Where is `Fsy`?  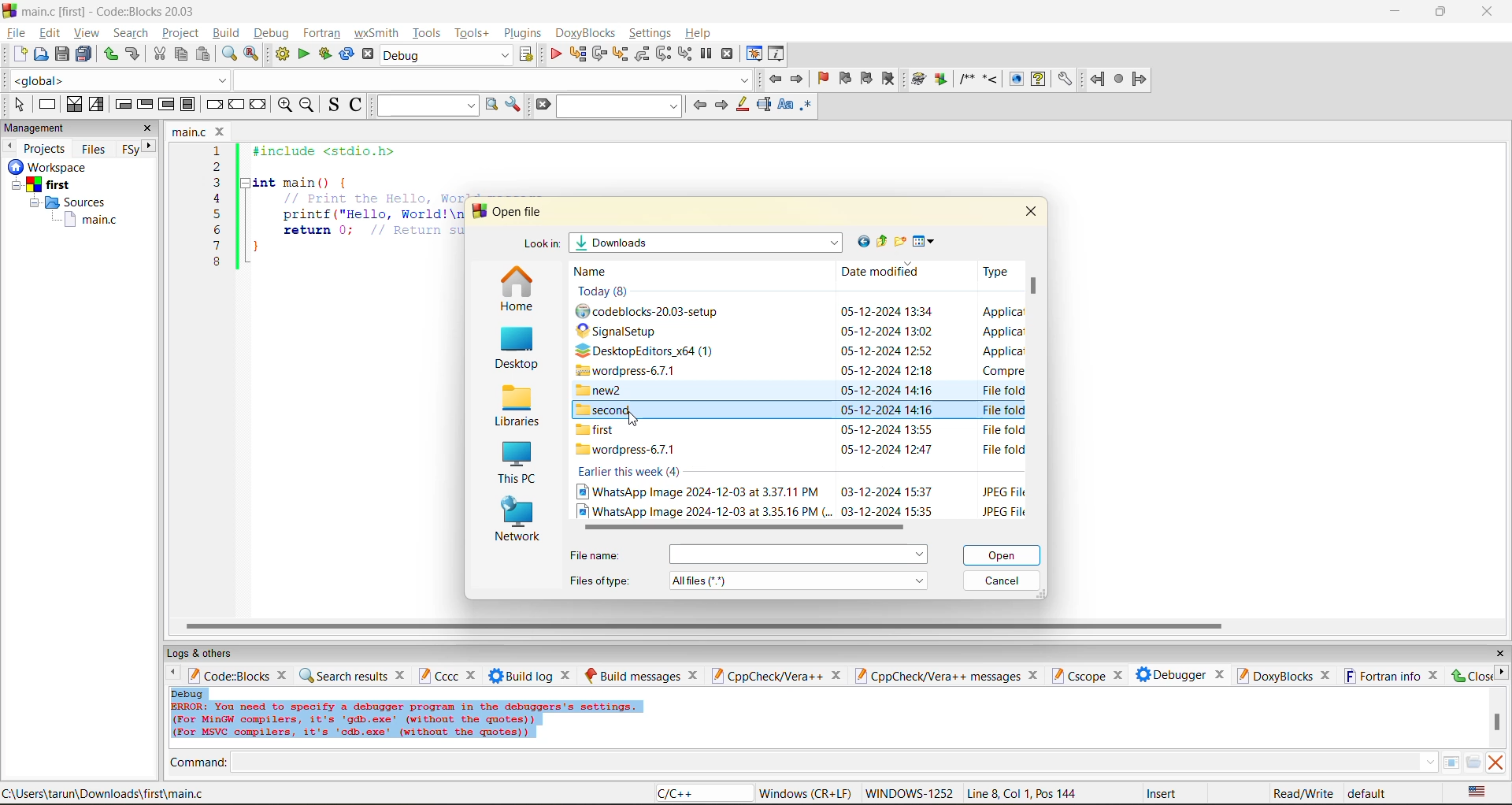 Fsy is located at coordinates (129, 150).